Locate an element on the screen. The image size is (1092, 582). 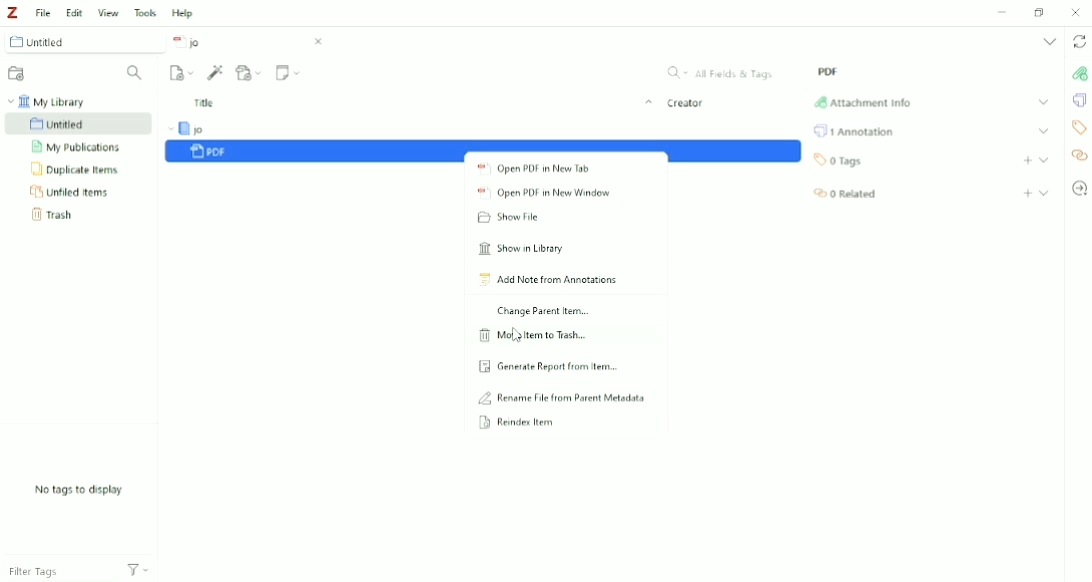
List all tabs is located at coordinates (1048, 42).